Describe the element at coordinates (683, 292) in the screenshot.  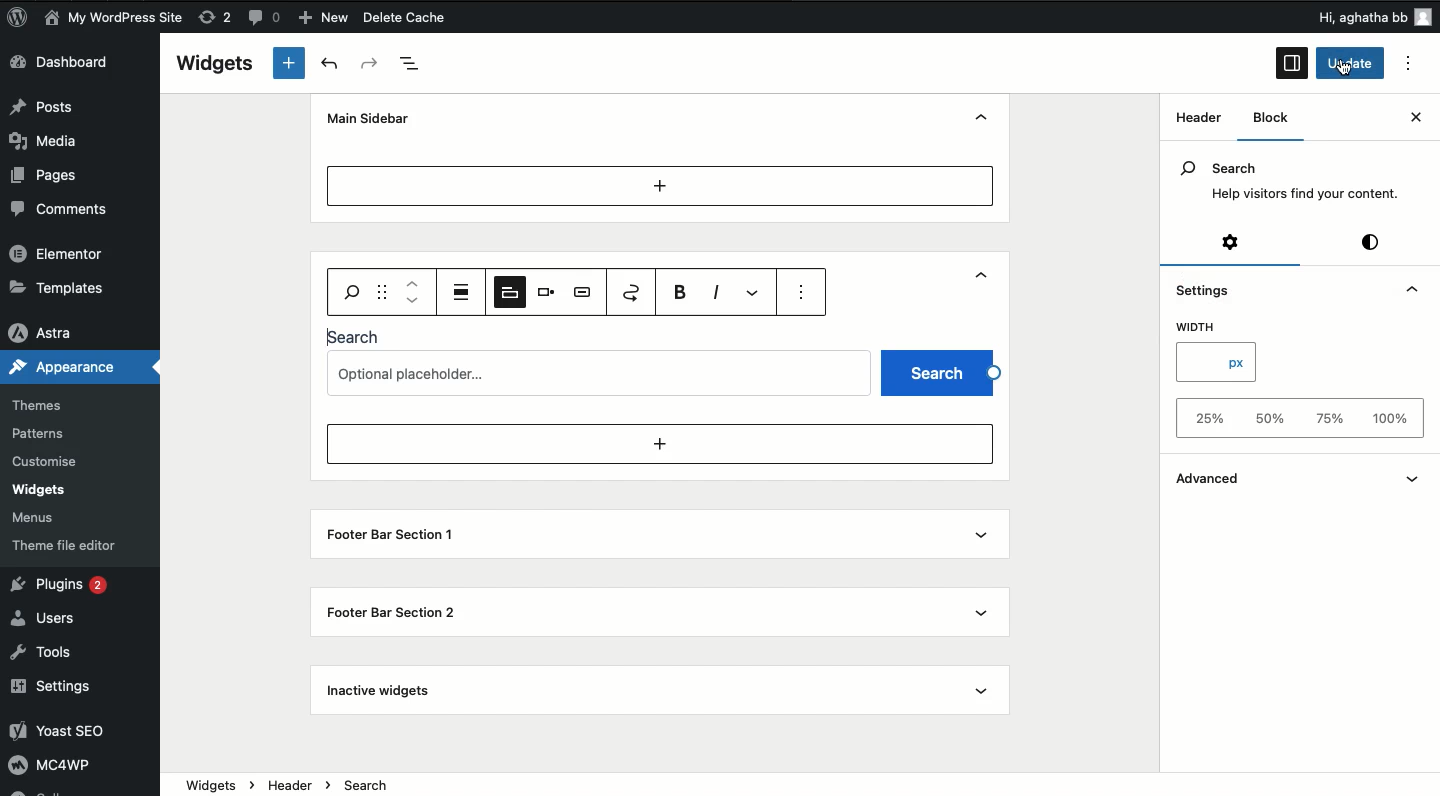
I see `Bold` at that location.